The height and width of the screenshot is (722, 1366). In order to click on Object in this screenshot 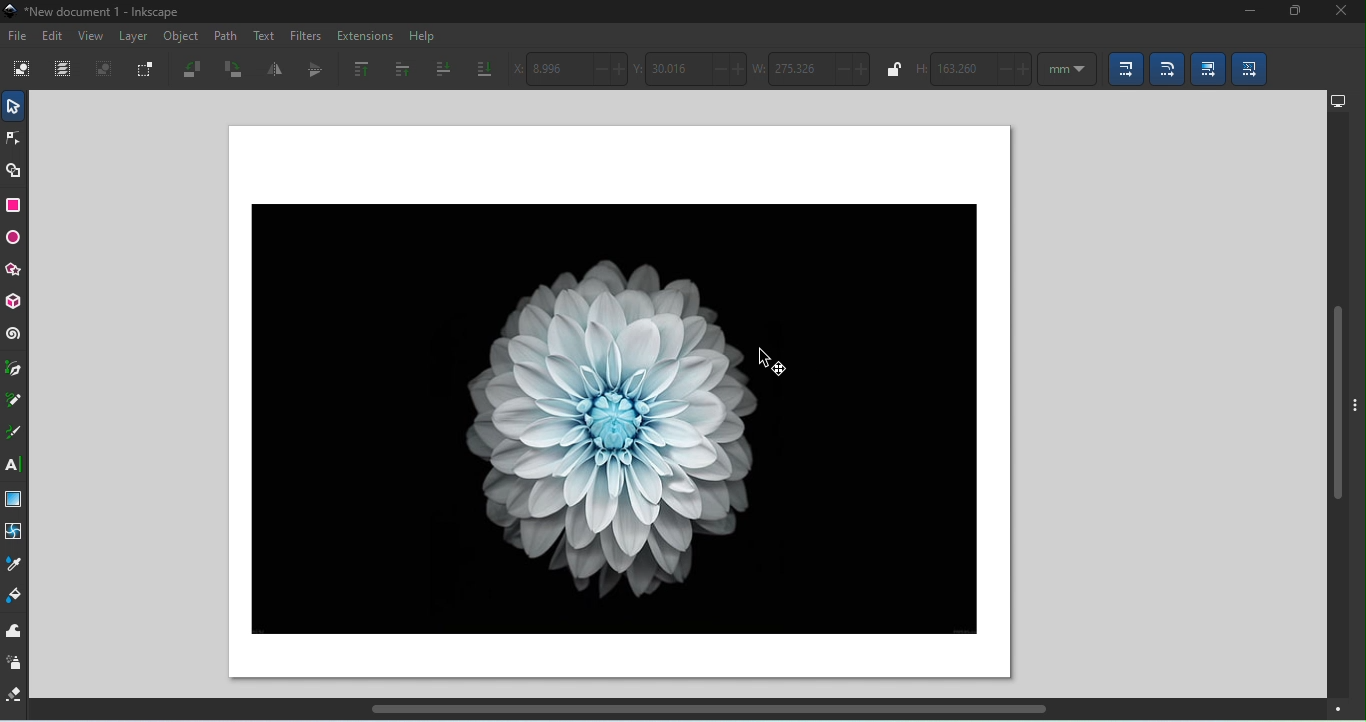, I will do `click(181, 38)`.